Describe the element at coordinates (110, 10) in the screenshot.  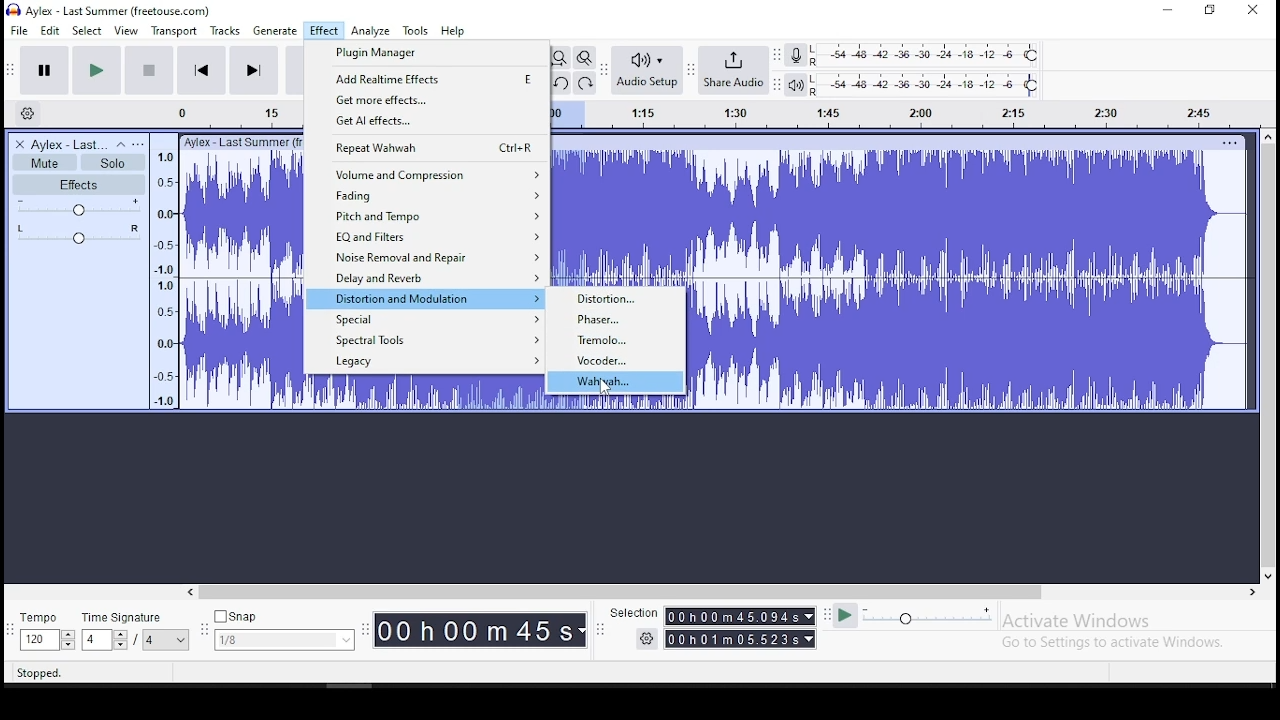
I see `icon and file name` at that location.